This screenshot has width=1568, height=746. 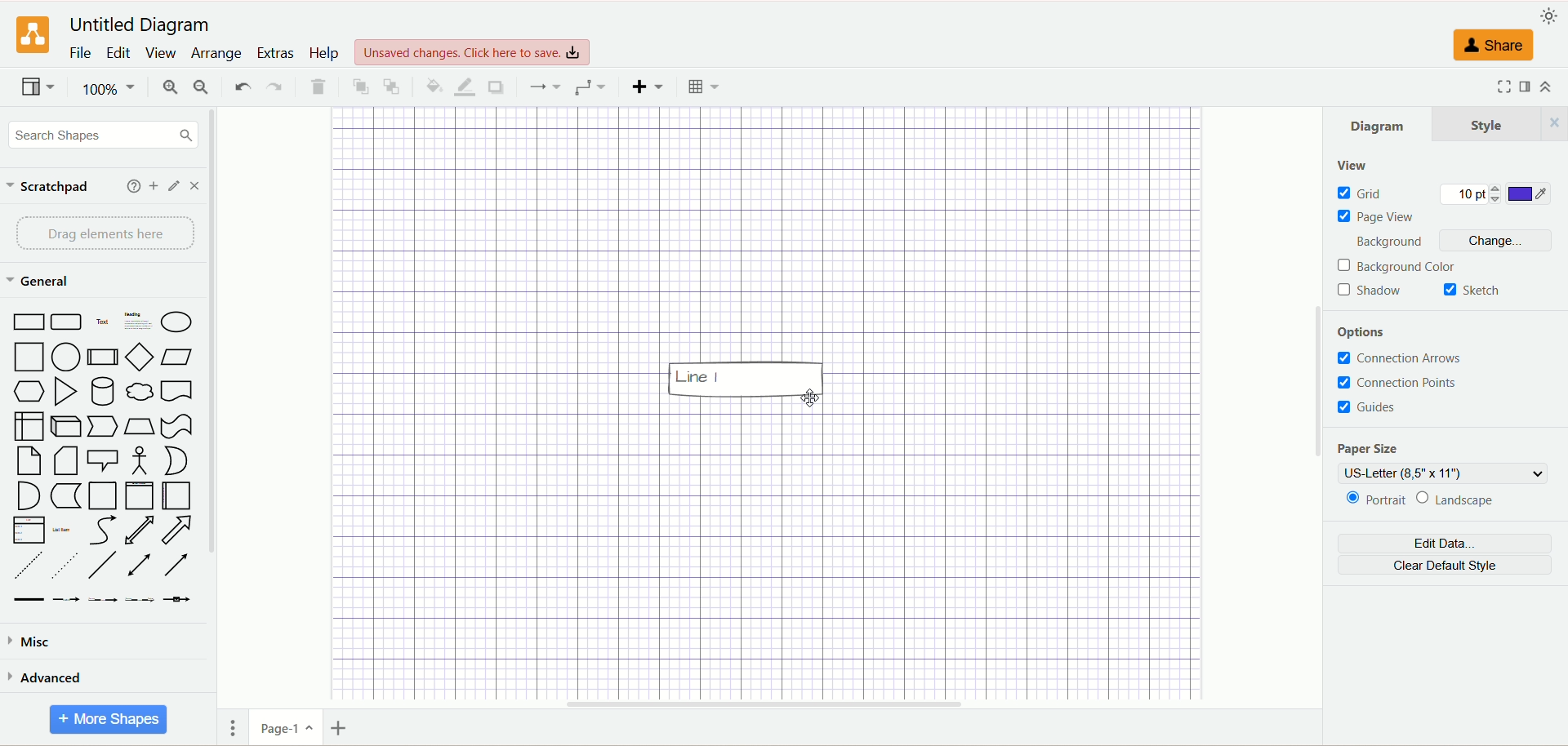 What do you see at coordinates (1437, 474) in the screenshot?
I see `US-letter(8,5* x 11")` at bounding box center [1437, 474].